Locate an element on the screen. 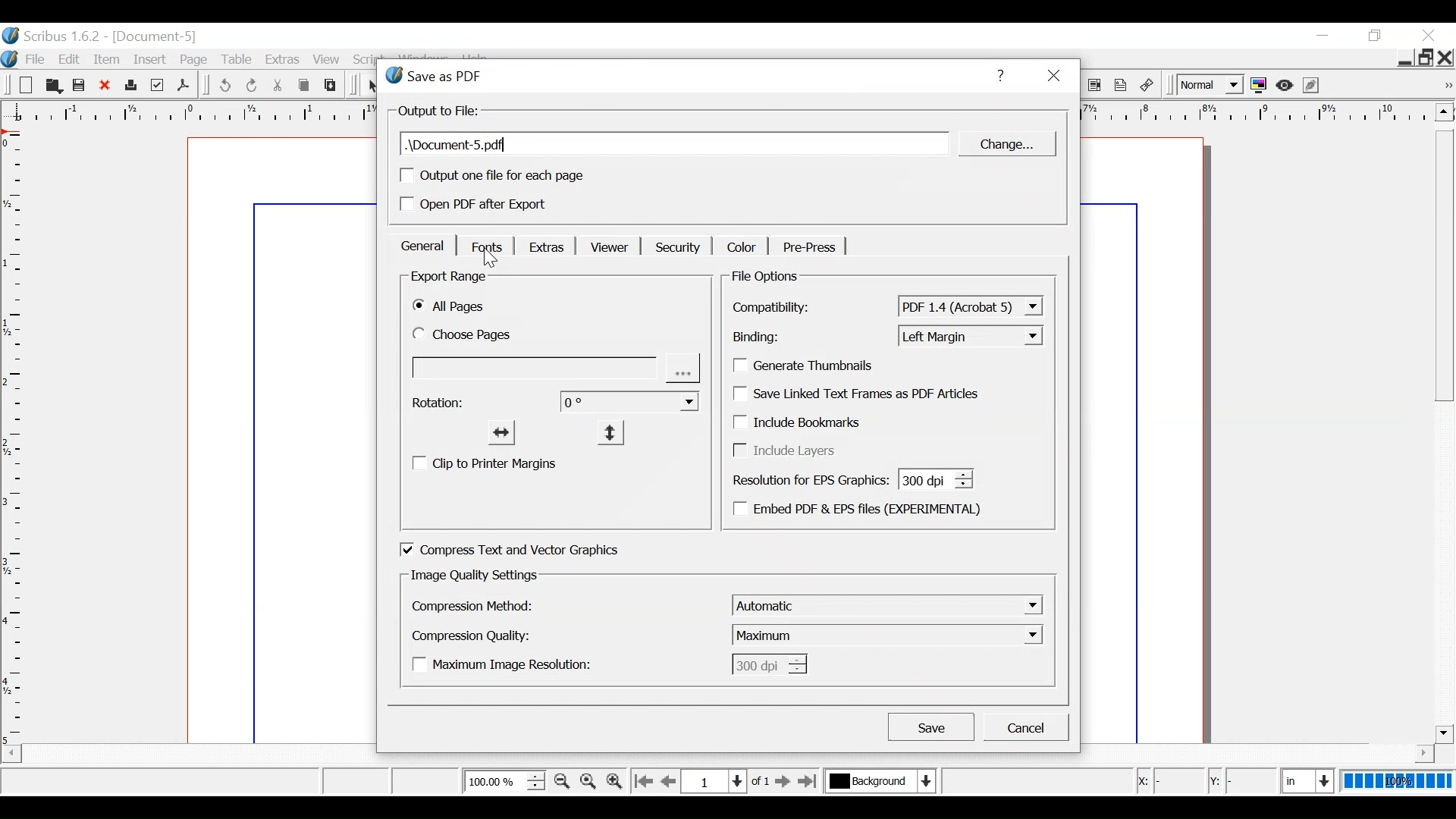 The width and height of the screenshot is (1456, 819). Security is located at coordinates (676, 246).